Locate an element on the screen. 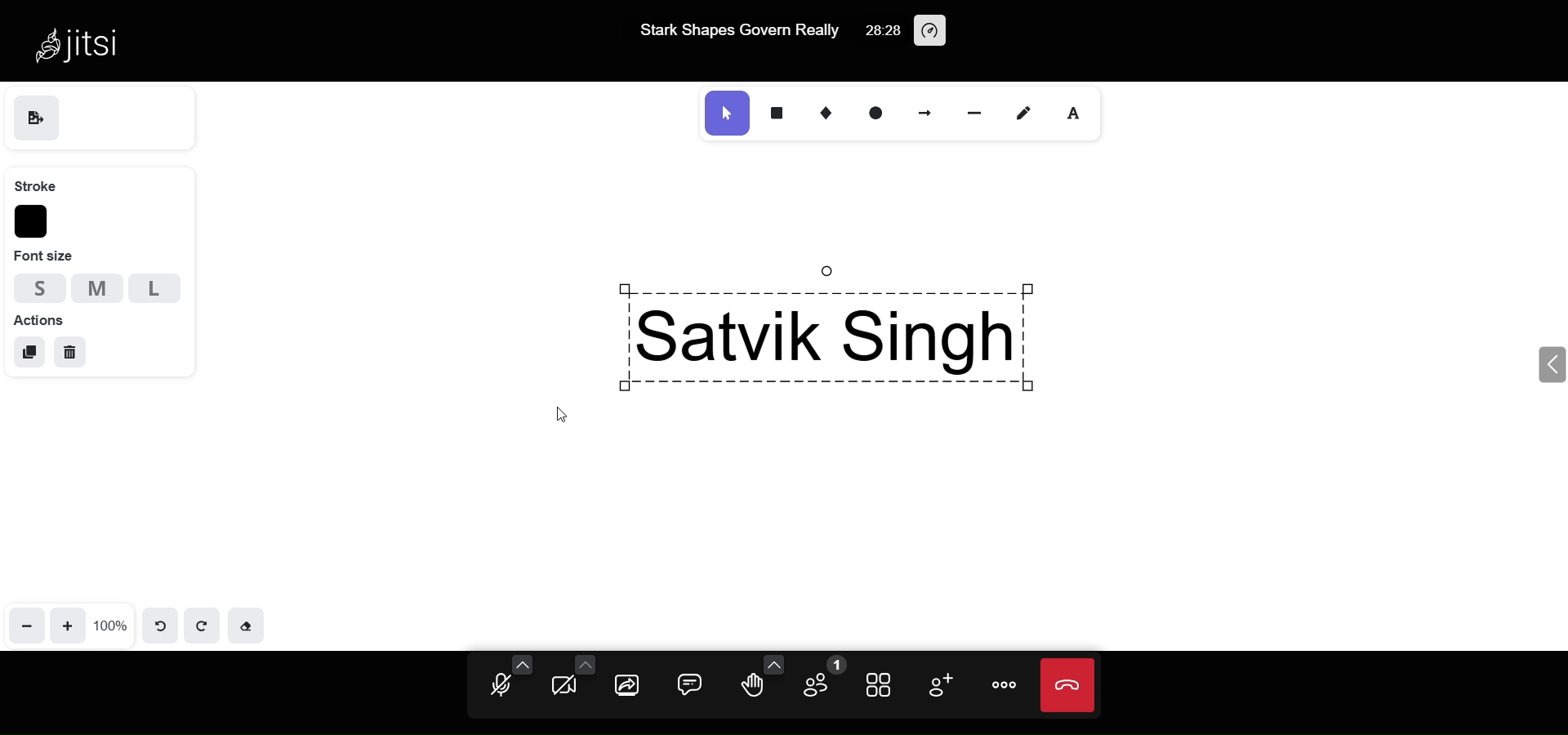 The height and width of the screenshot is (735, 1568). expand is located at coordinates (1548, 363).